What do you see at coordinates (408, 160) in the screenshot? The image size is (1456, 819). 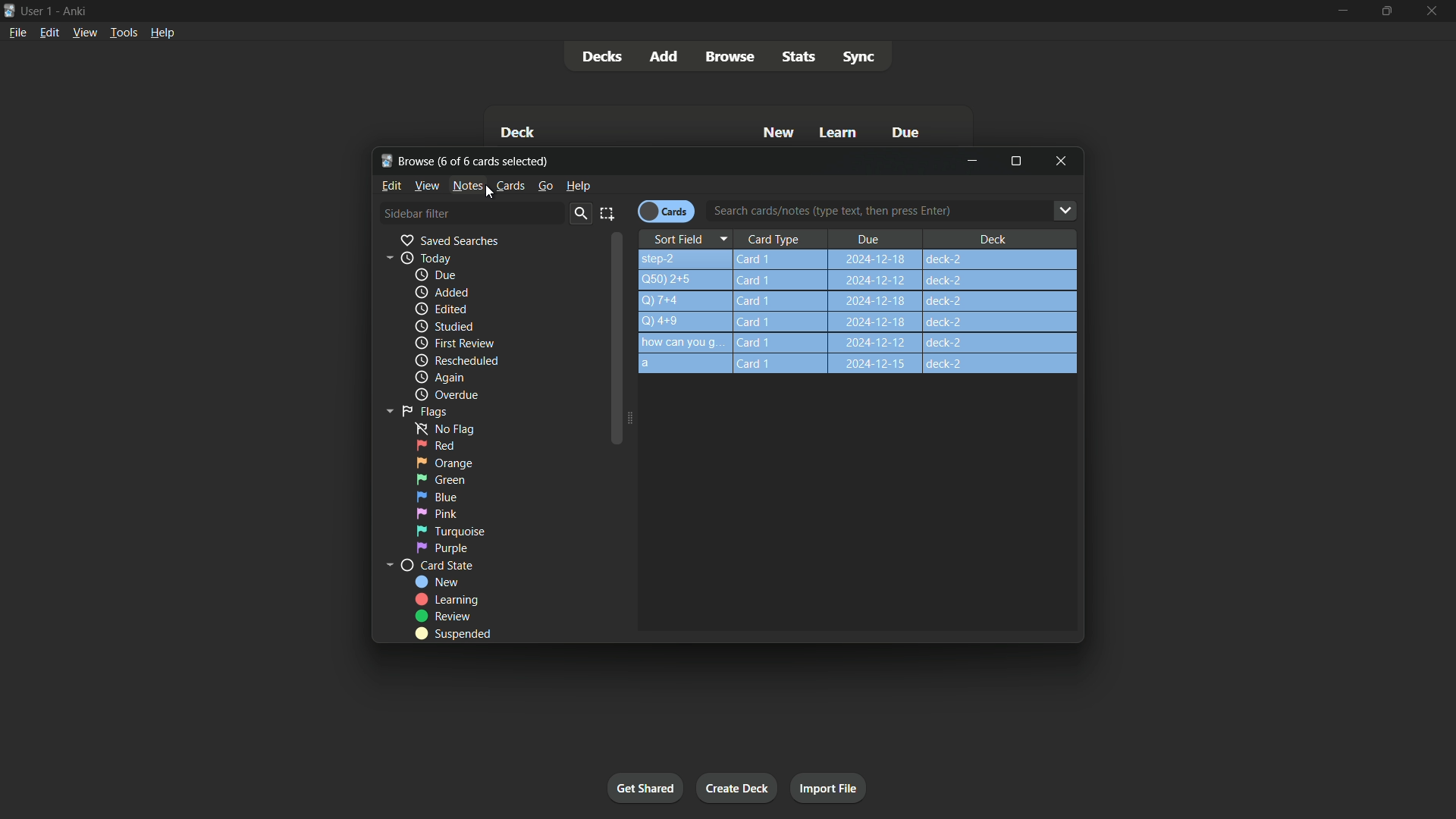 I see `Browse` at bounding box center [408, 160].